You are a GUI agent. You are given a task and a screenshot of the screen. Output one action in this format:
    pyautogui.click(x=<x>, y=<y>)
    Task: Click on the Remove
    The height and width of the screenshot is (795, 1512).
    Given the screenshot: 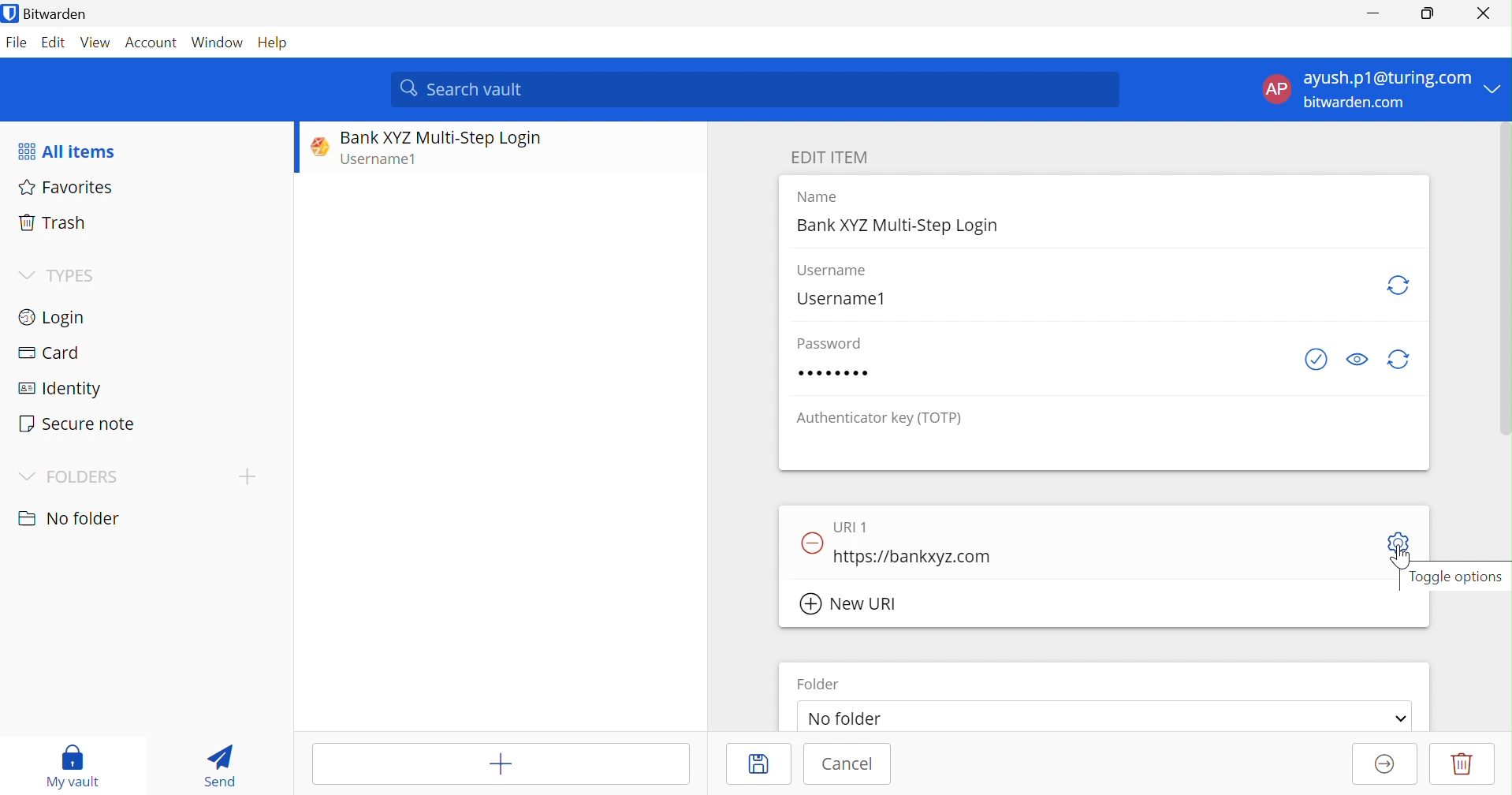 What is the action you would take?
    pyautogui.click(x=811, y=540)
    